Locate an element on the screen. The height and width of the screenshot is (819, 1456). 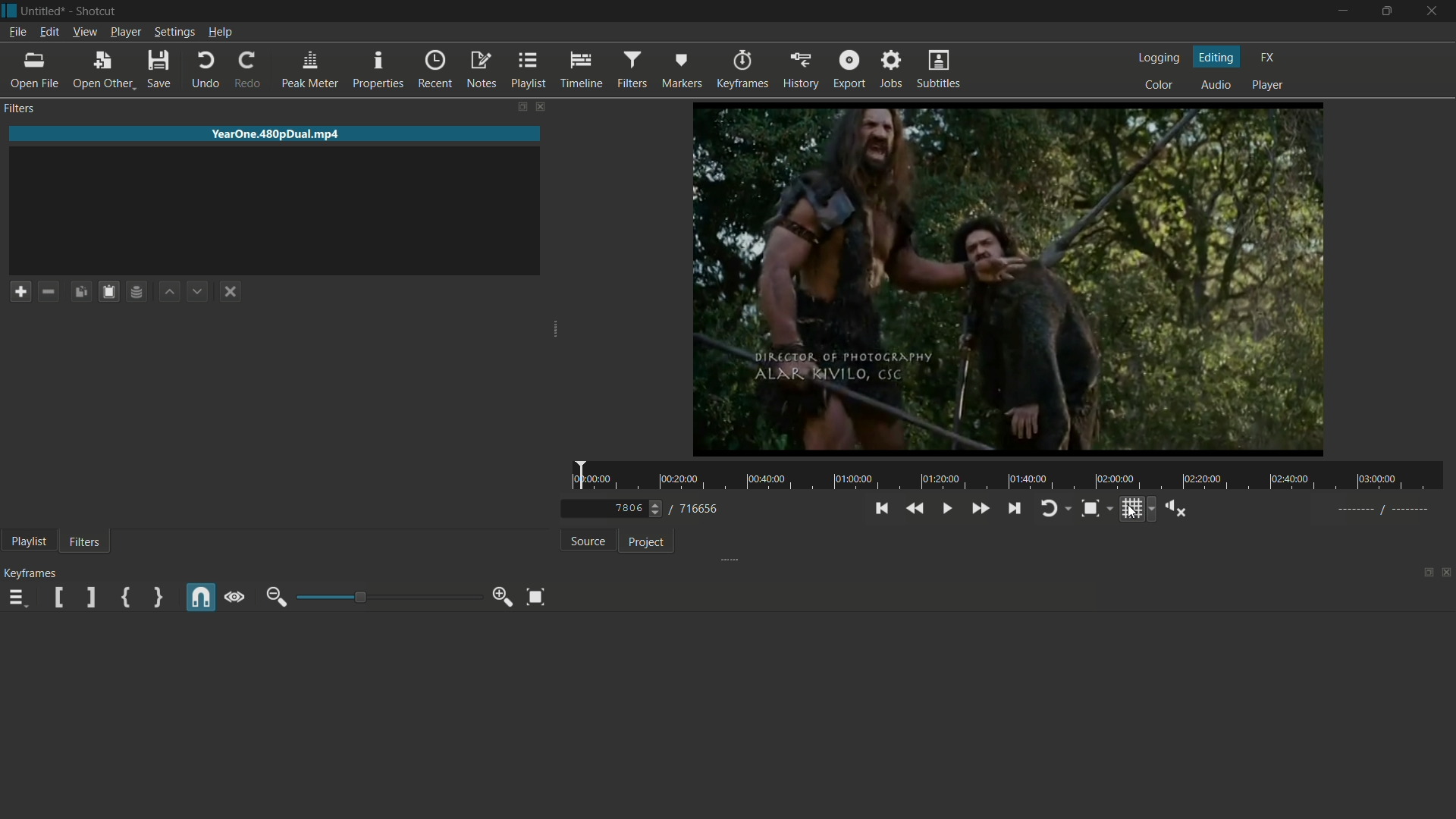
move filter up is located at coordinates (168, 291).